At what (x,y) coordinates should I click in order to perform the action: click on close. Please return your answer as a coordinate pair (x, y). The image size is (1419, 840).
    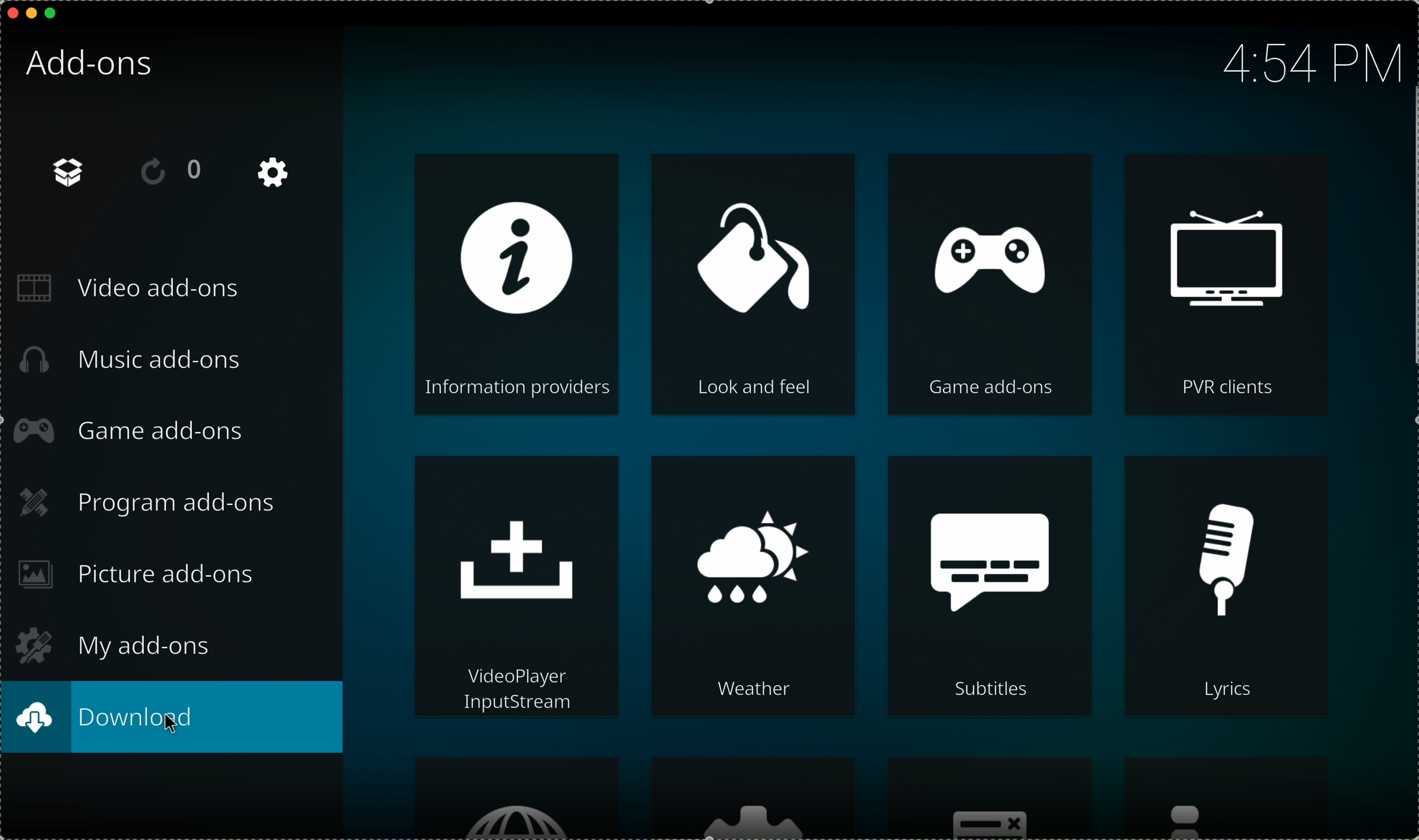
    Looking at the image, I should click on (9, 13).